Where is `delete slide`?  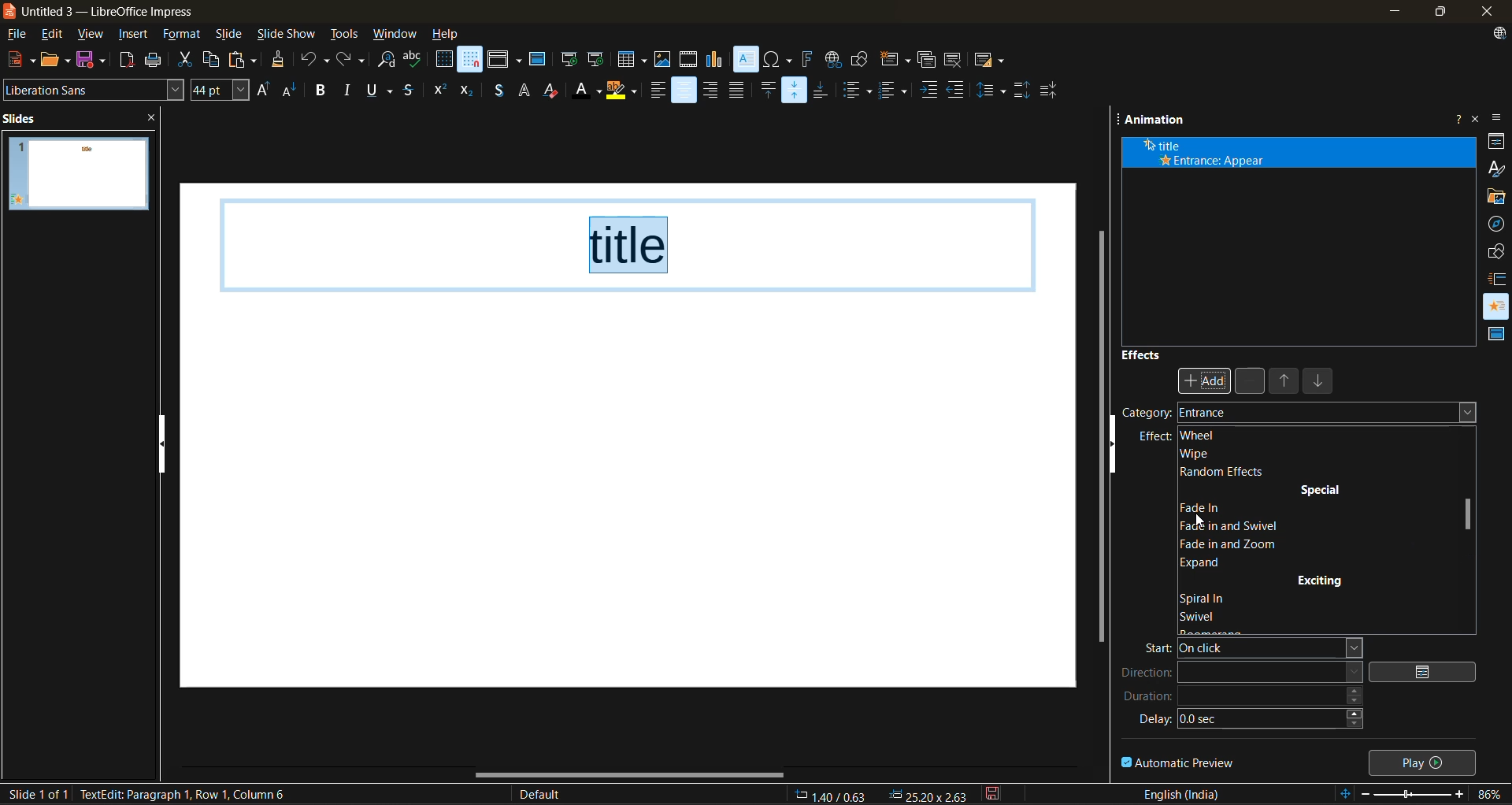 delete slide is located at coordinates (955, 61).